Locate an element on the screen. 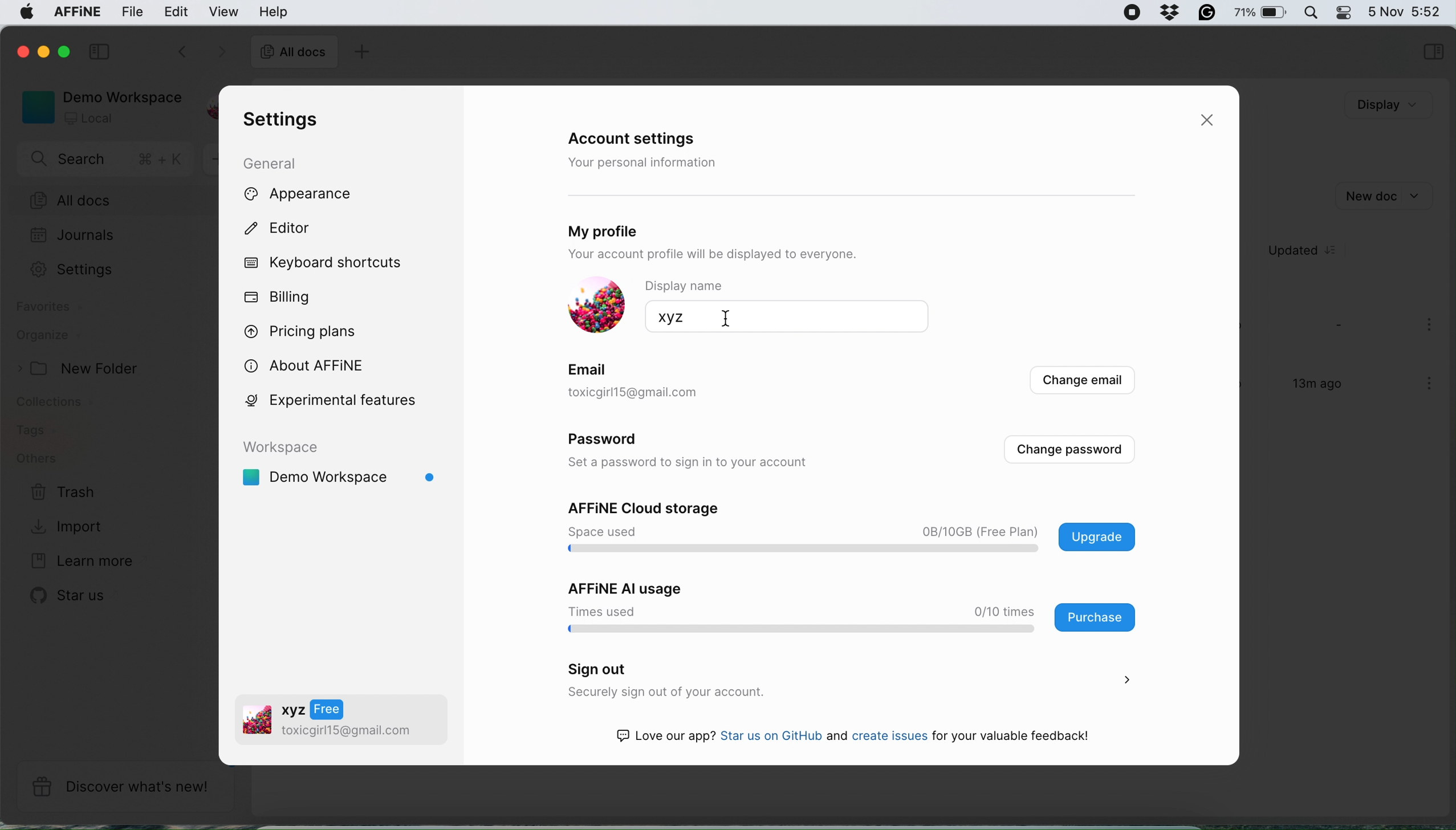 This screenshot has width=1456, height=830. change passwords is located at coordinates (1069, 450).